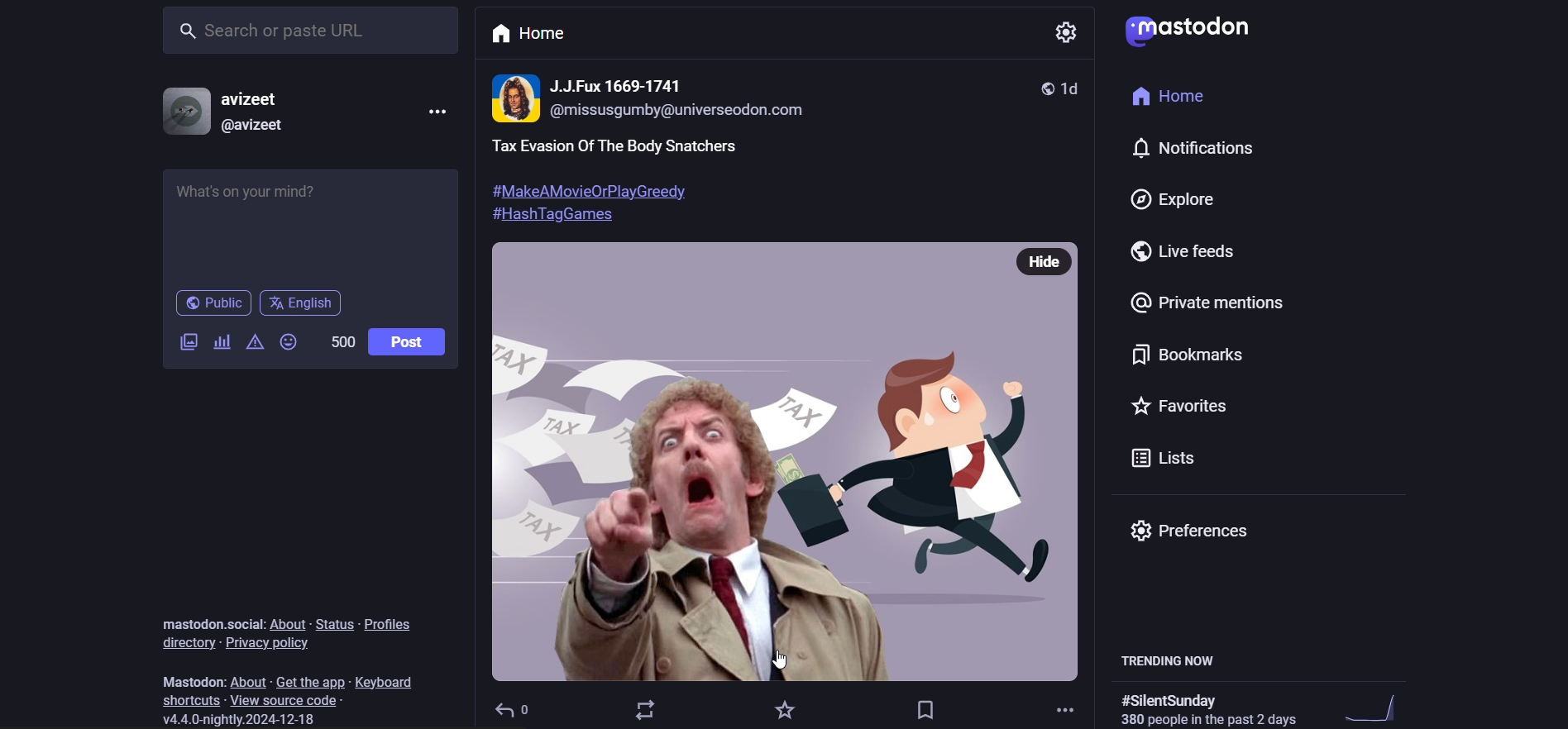 Image resolution: width=1568 pixels, height=729 pixels. What do you see at coordinates (527, 36) in the screenshot?
I see `home` at bounding box center [527, 36].